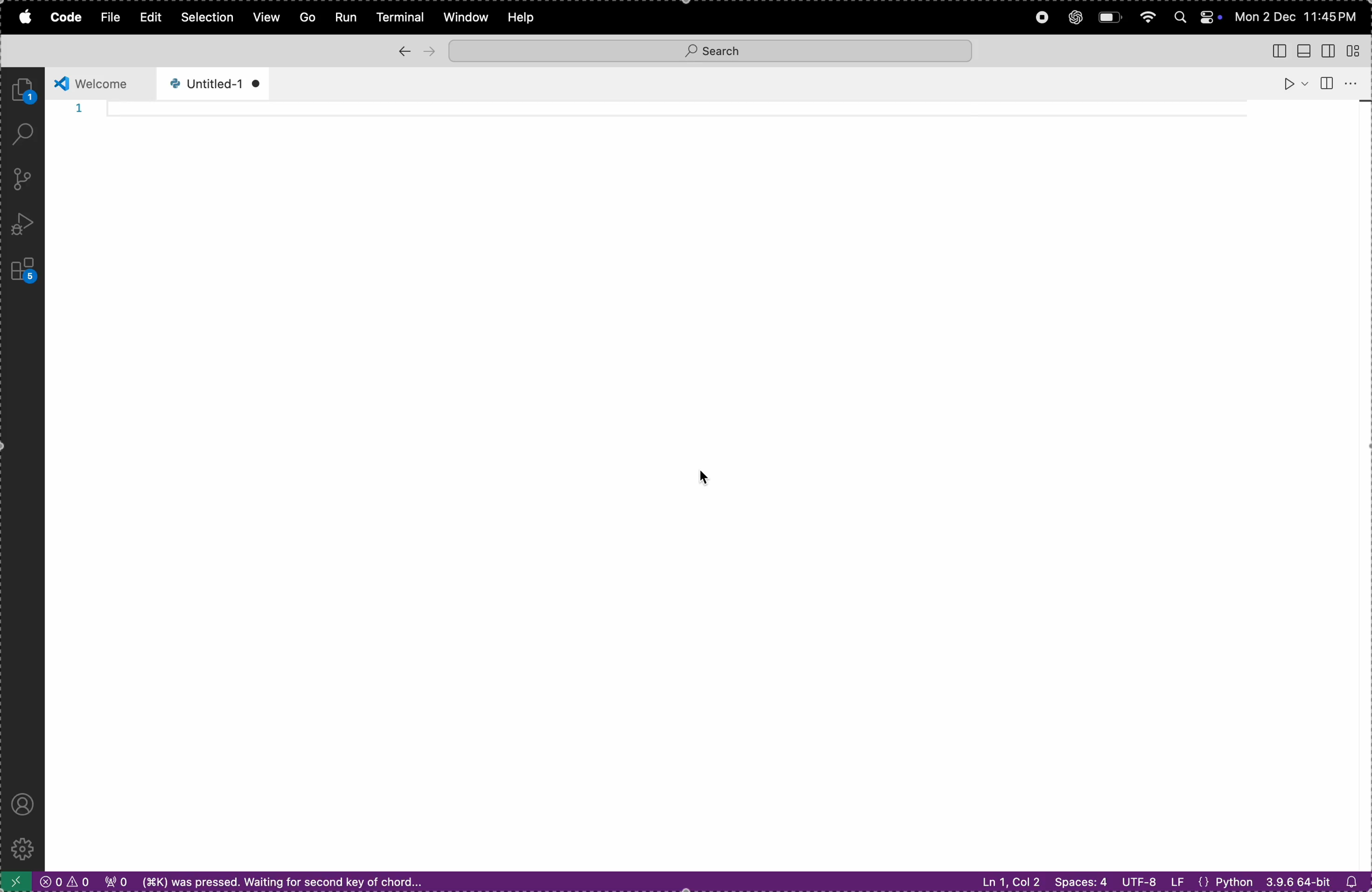 The image size is (1372, 892). What do you see at coordinates (61, 17) in the screenshot?
I see `code` at bounding box center [61, 17].